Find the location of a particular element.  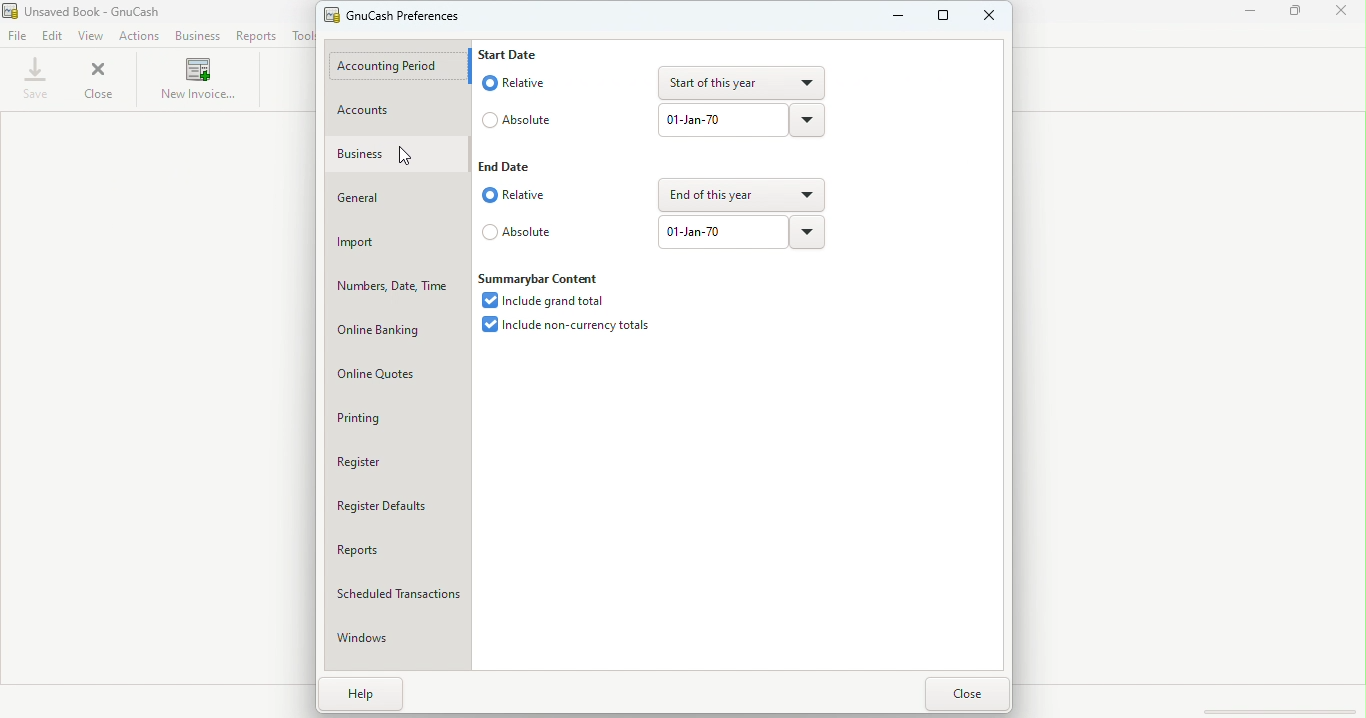

Close is located at coordinates (1346, 14).